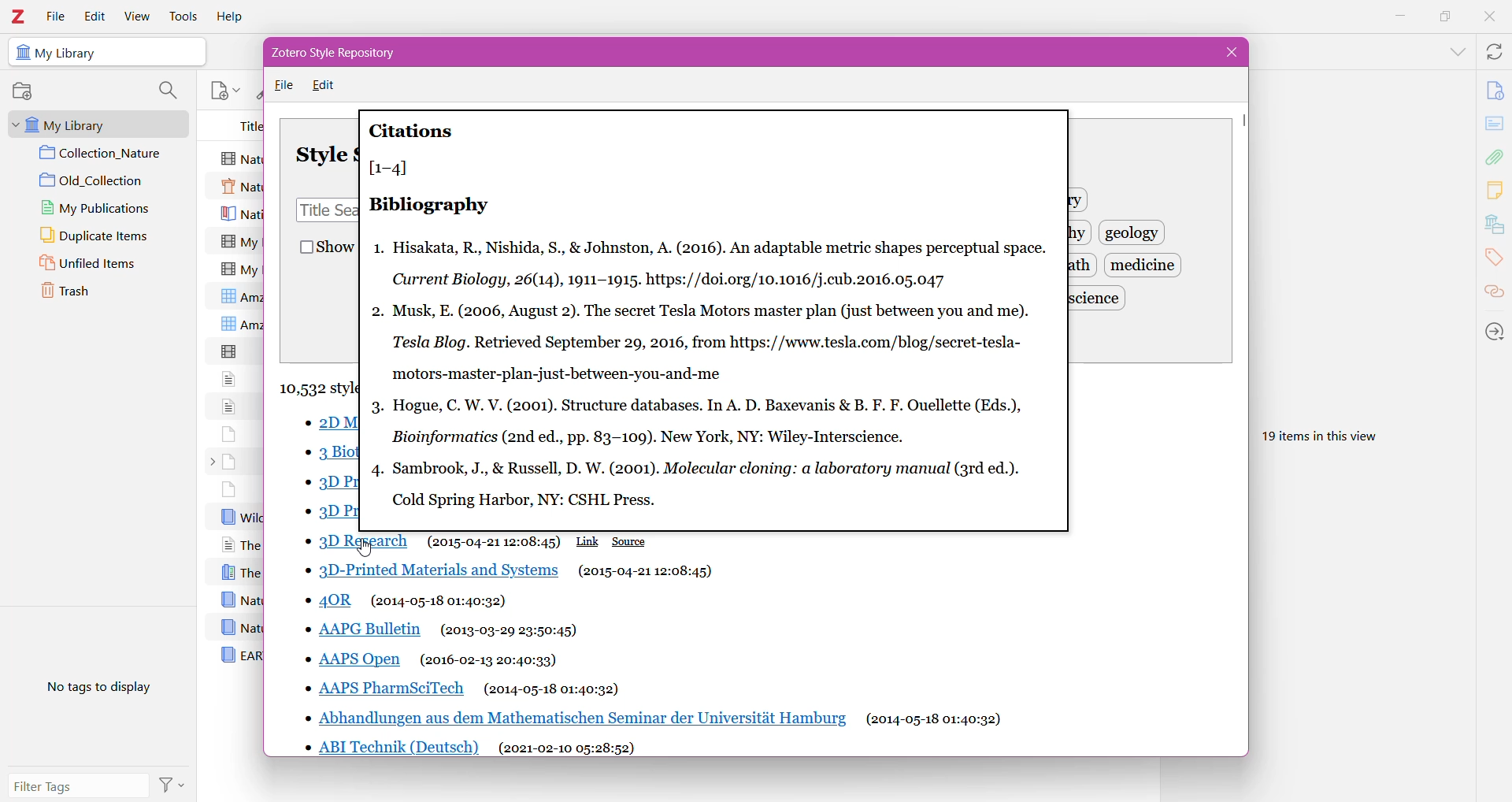  What do you see at coordinates (364, 631) in the screenshot?
I see `Style 8` at bounding box center [364, 631].